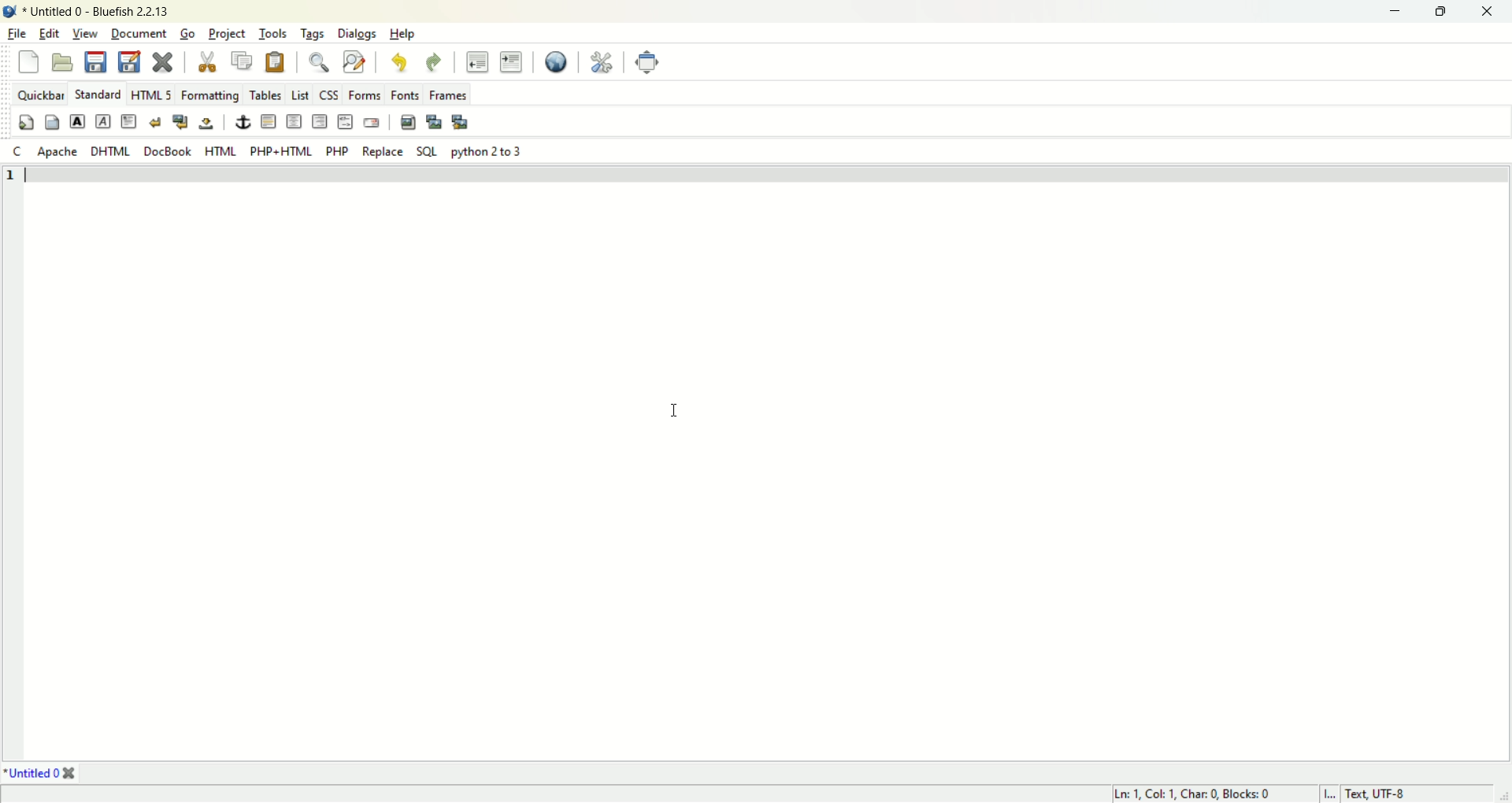  Describe the element at coordinates (210, 96) in the screenshot. I see `Formatting` at that location.